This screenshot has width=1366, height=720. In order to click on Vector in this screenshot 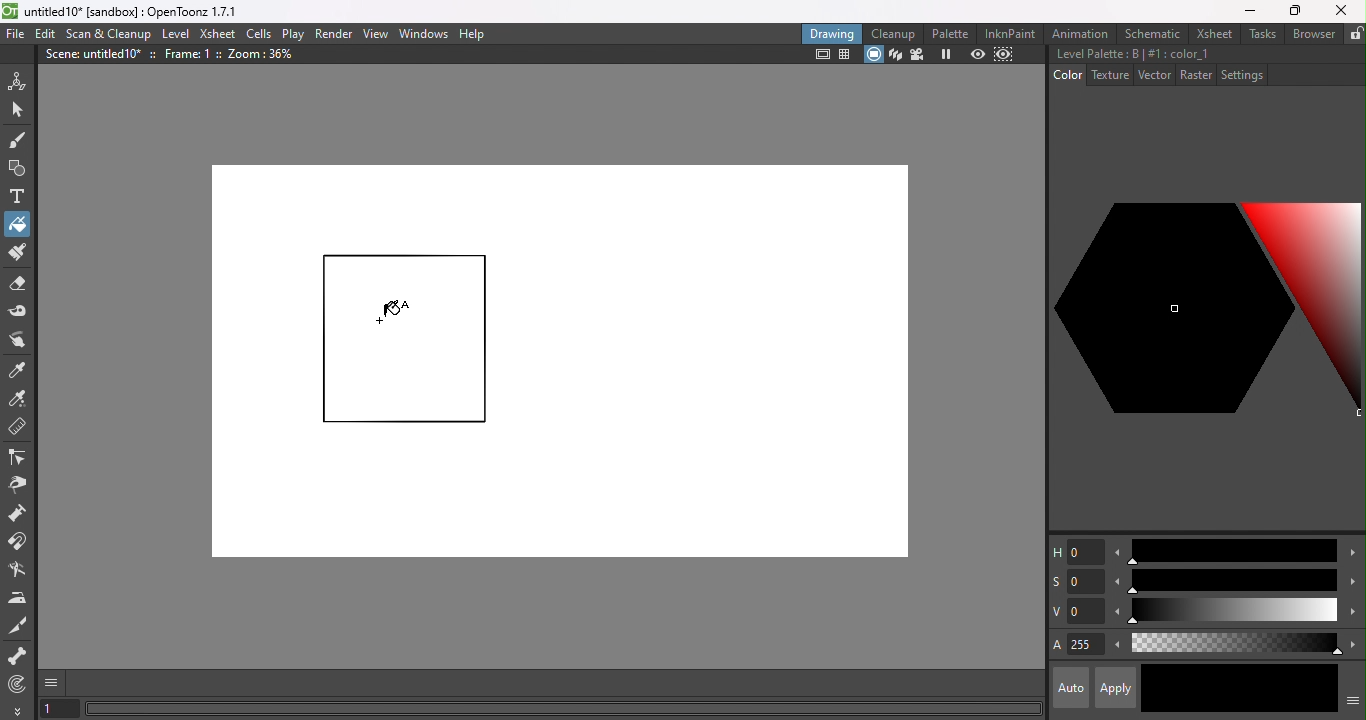, I will do `click(1153, 76)`.